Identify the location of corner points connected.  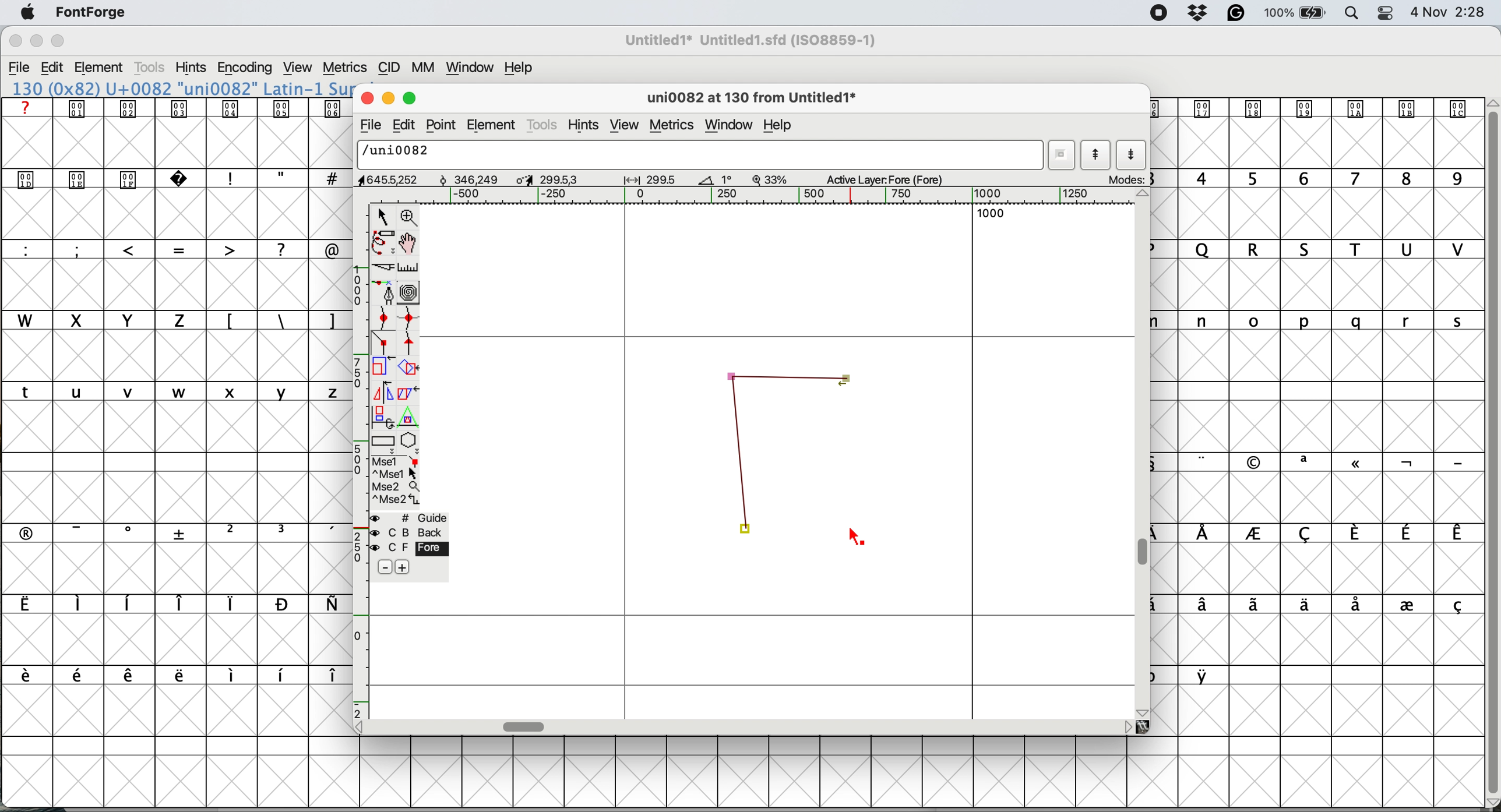
(788, 374).